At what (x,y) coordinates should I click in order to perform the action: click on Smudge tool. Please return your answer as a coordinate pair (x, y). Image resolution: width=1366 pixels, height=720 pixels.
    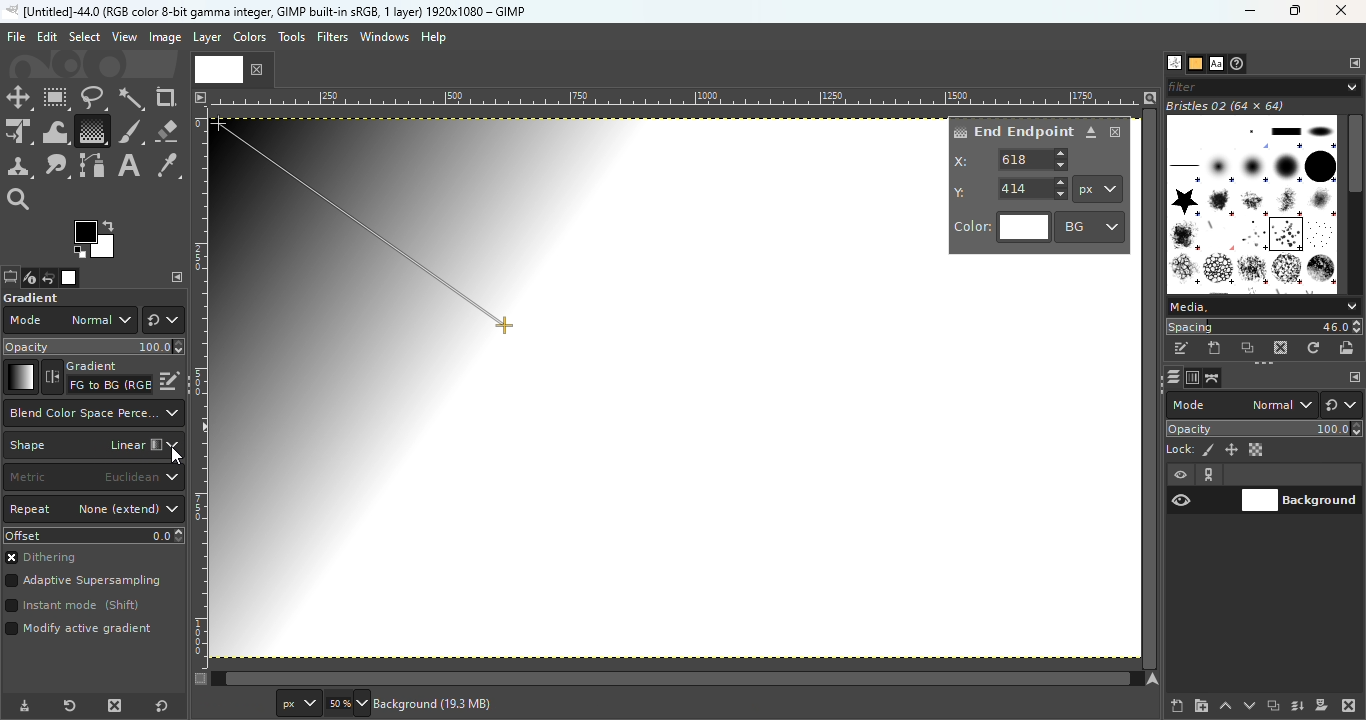
    Looking at the image, I should click on (57, 166).